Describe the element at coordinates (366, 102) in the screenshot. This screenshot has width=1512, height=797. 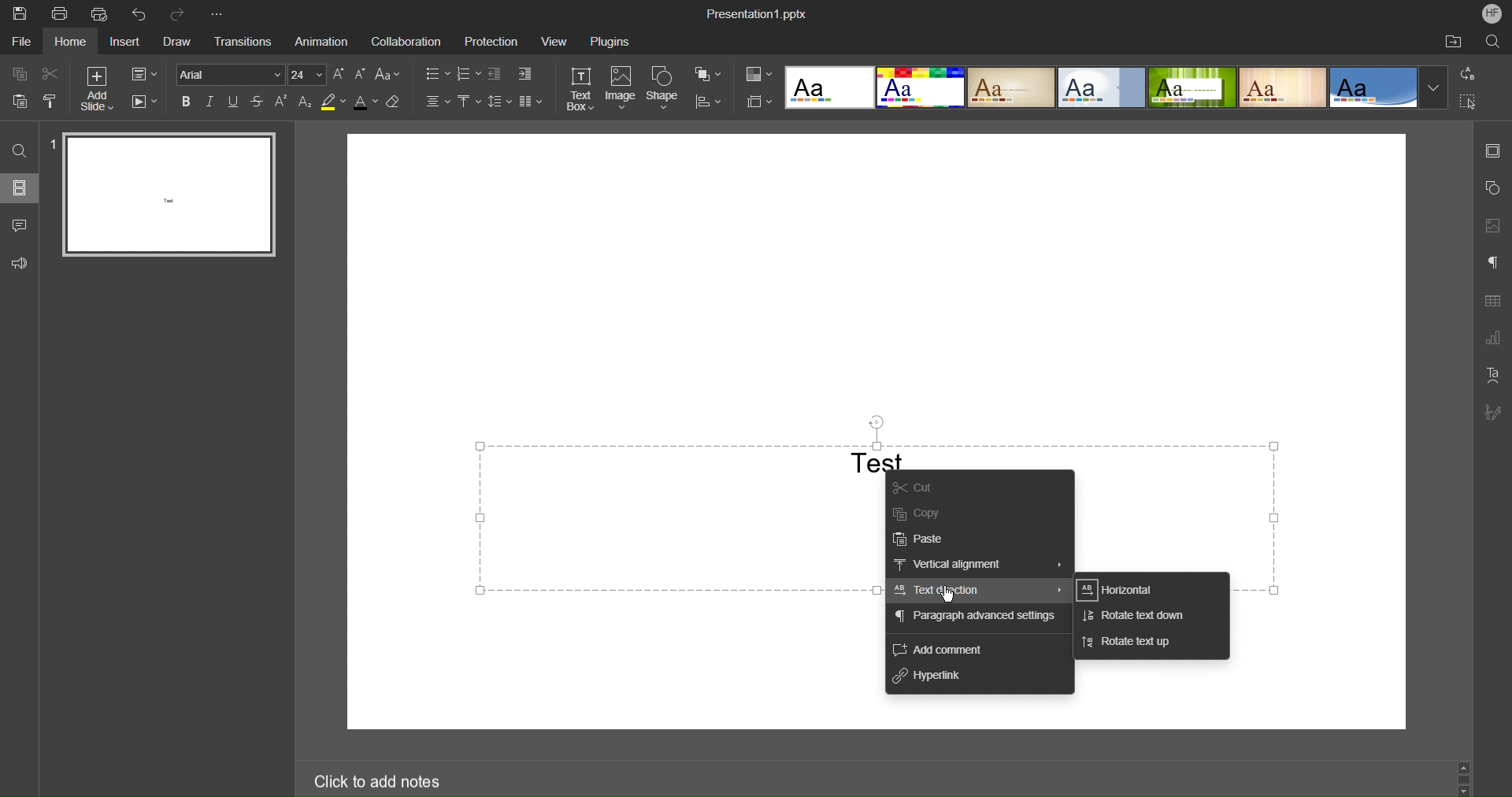
I see `Text Color` at that location.